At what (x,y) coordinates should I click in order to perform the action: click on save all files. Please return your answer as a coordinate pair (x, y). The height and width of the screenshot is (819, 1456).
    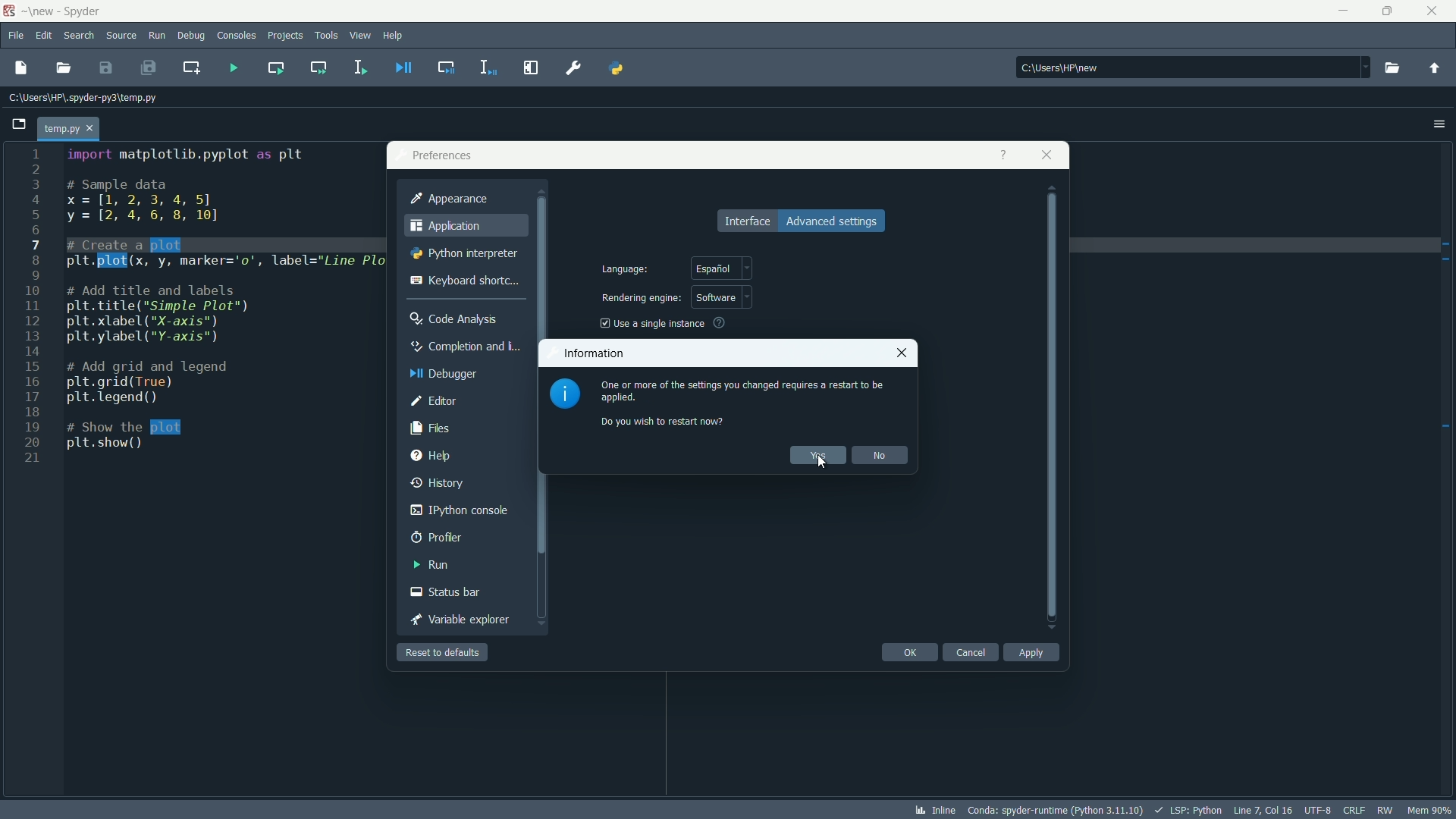
    Looking at the image, I should click on (149, 68).